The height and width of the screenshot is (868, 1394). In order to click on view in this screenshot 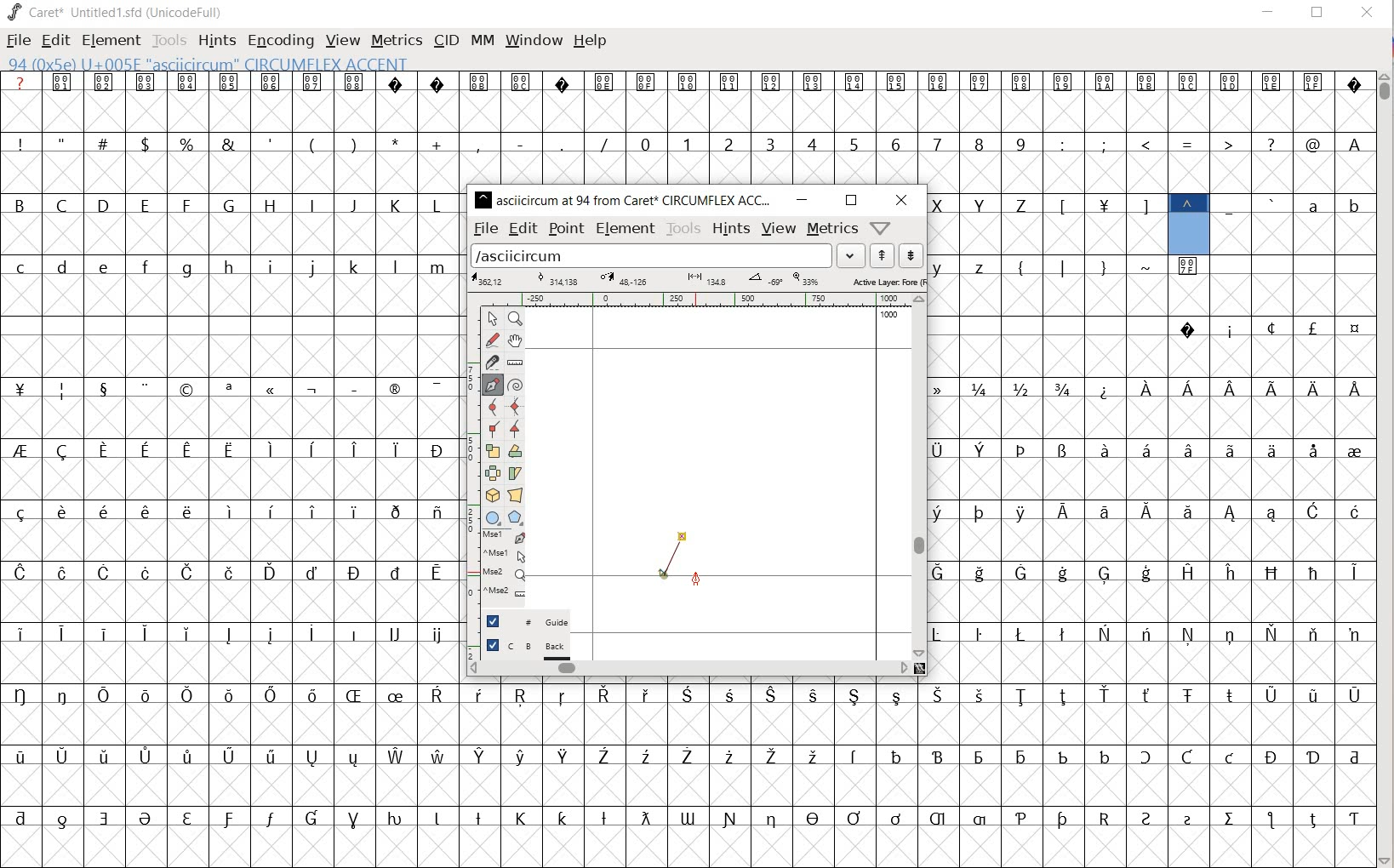, I will do `click(779, 229)`.